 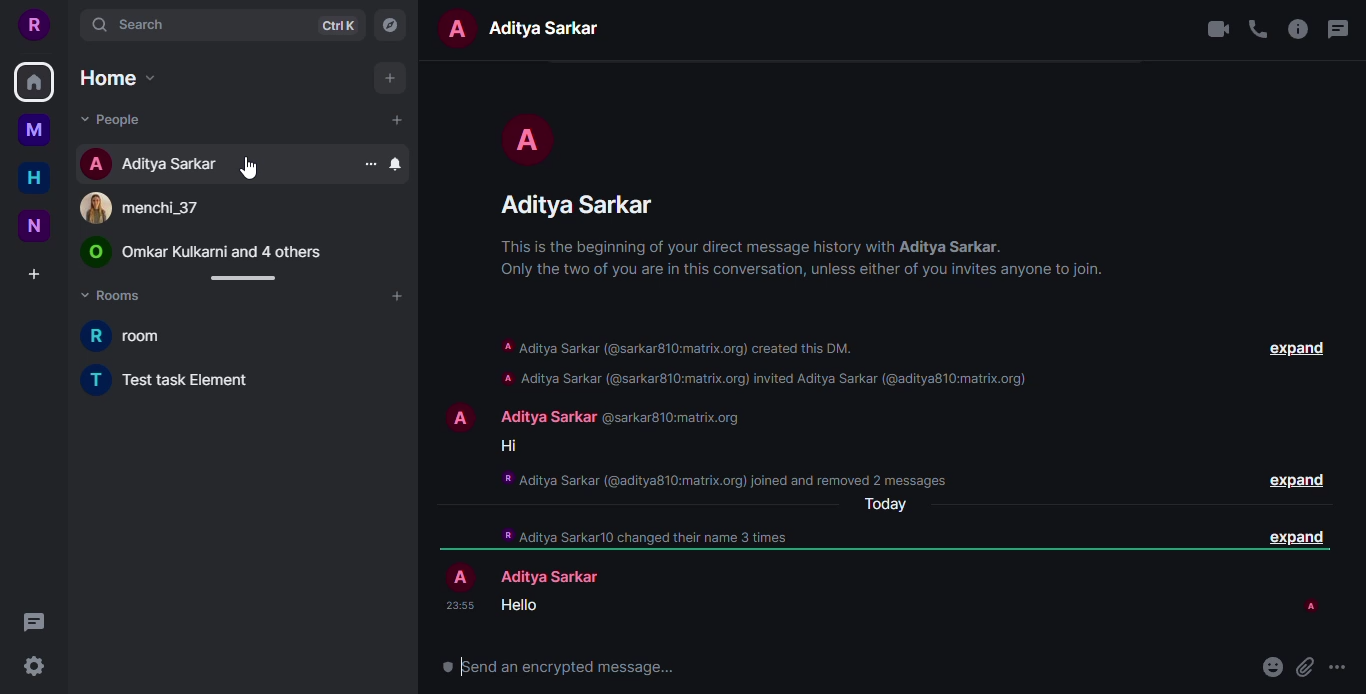 What do you see at coordinates (457, 418) in the screenshot?
I see `A` at bounding box center [457, 418].